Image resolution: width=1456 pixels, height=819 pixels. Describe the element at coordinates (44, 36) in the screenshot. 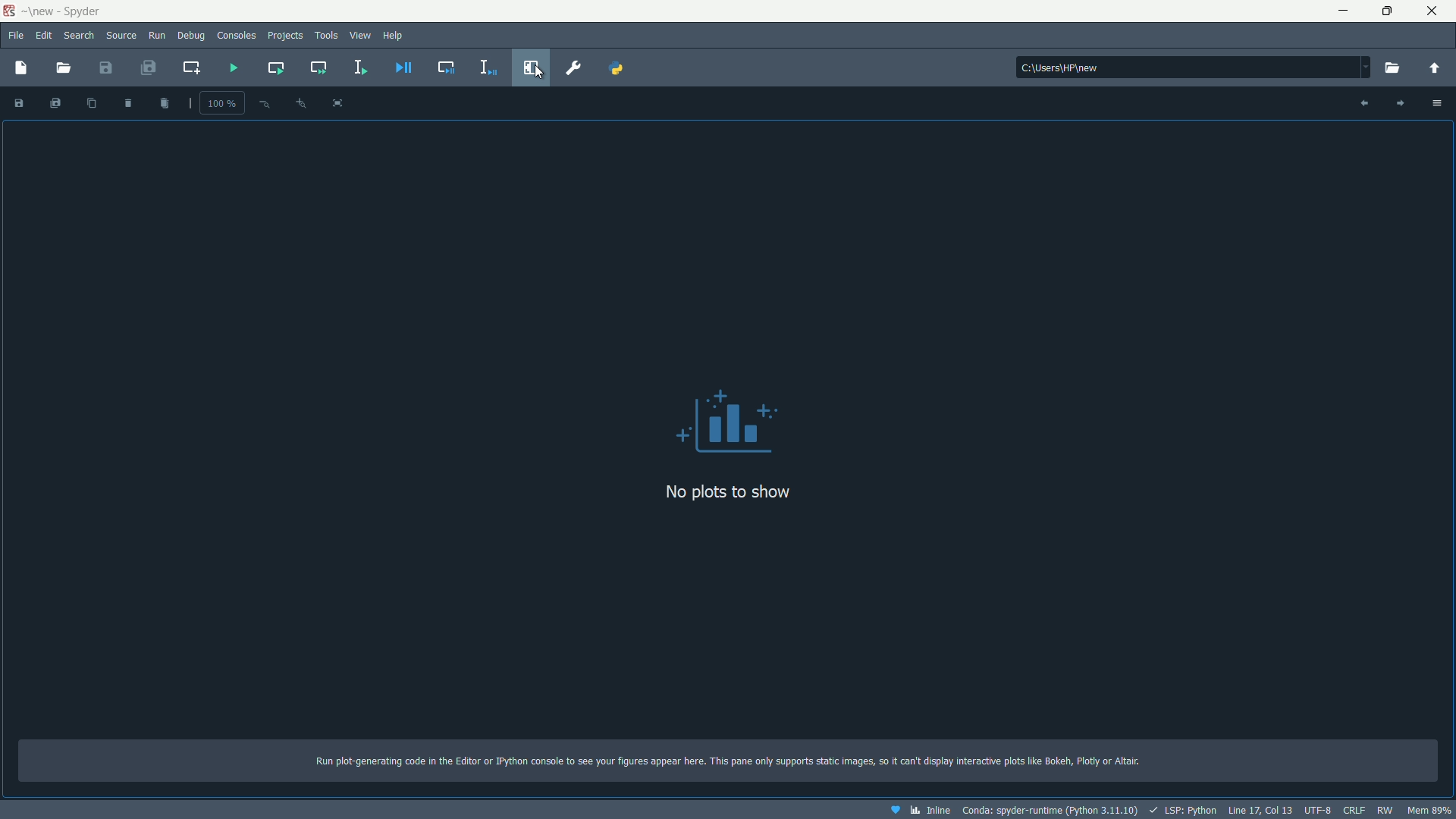

I see `edit` at that location.